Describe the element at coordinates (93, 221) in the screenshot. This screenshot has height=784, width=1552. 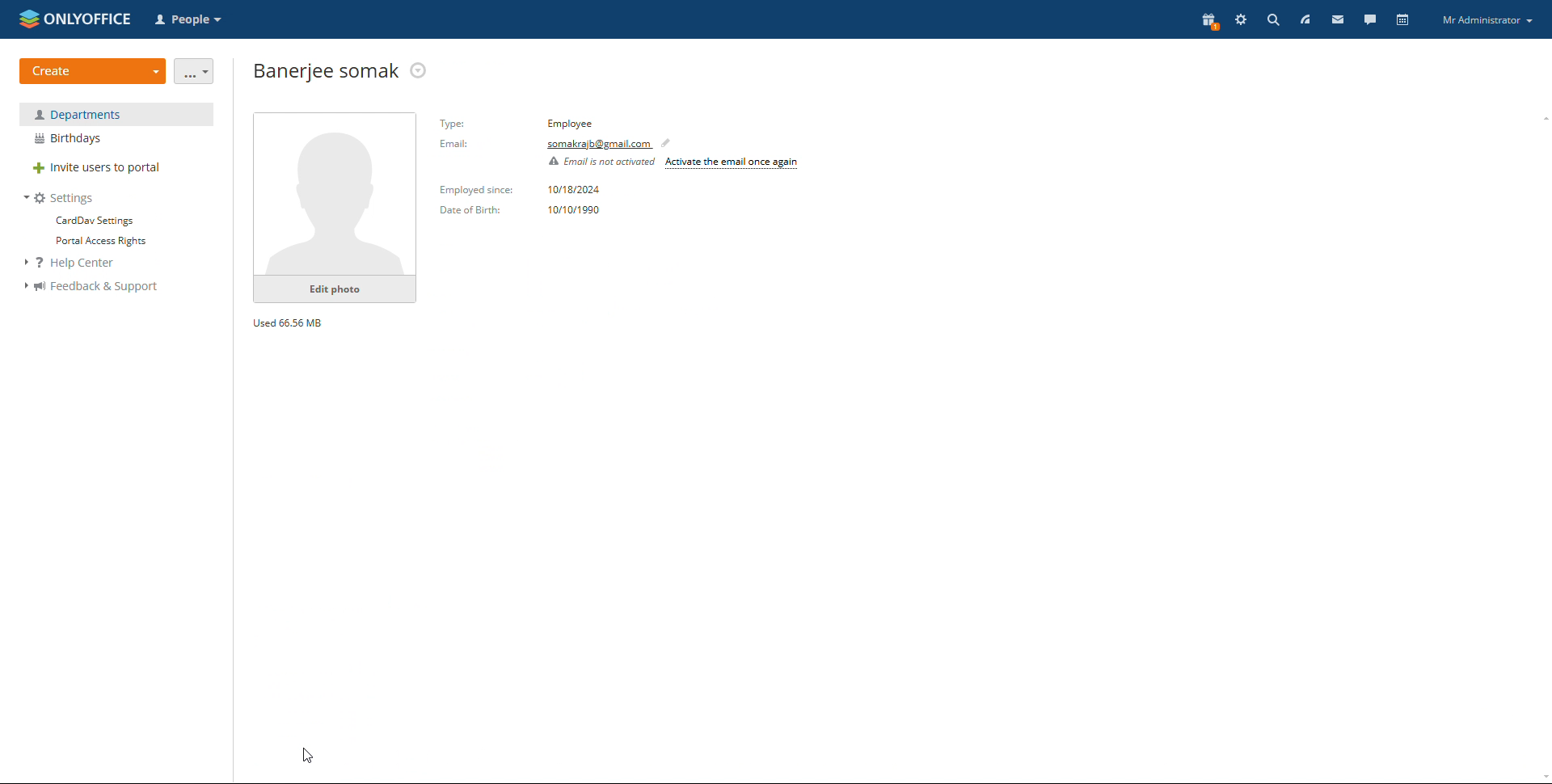
I see `carddev settings` at that location.